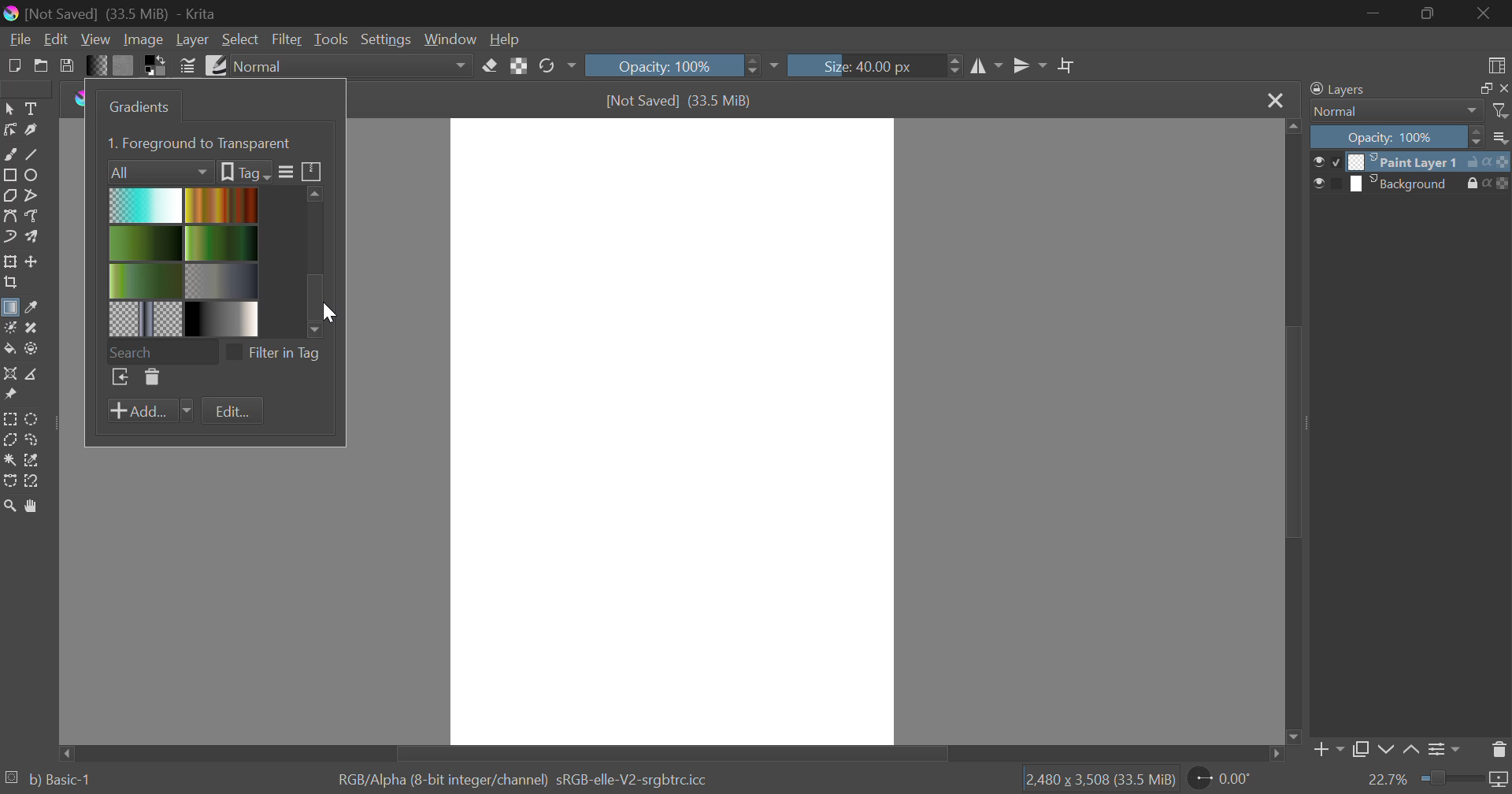 The width and height of the screenshot is (1512, 794). What do you see at coordinates (32, 461) in the screenshot?
I see `Similar Color Selection` at bounding box center [32, 461].